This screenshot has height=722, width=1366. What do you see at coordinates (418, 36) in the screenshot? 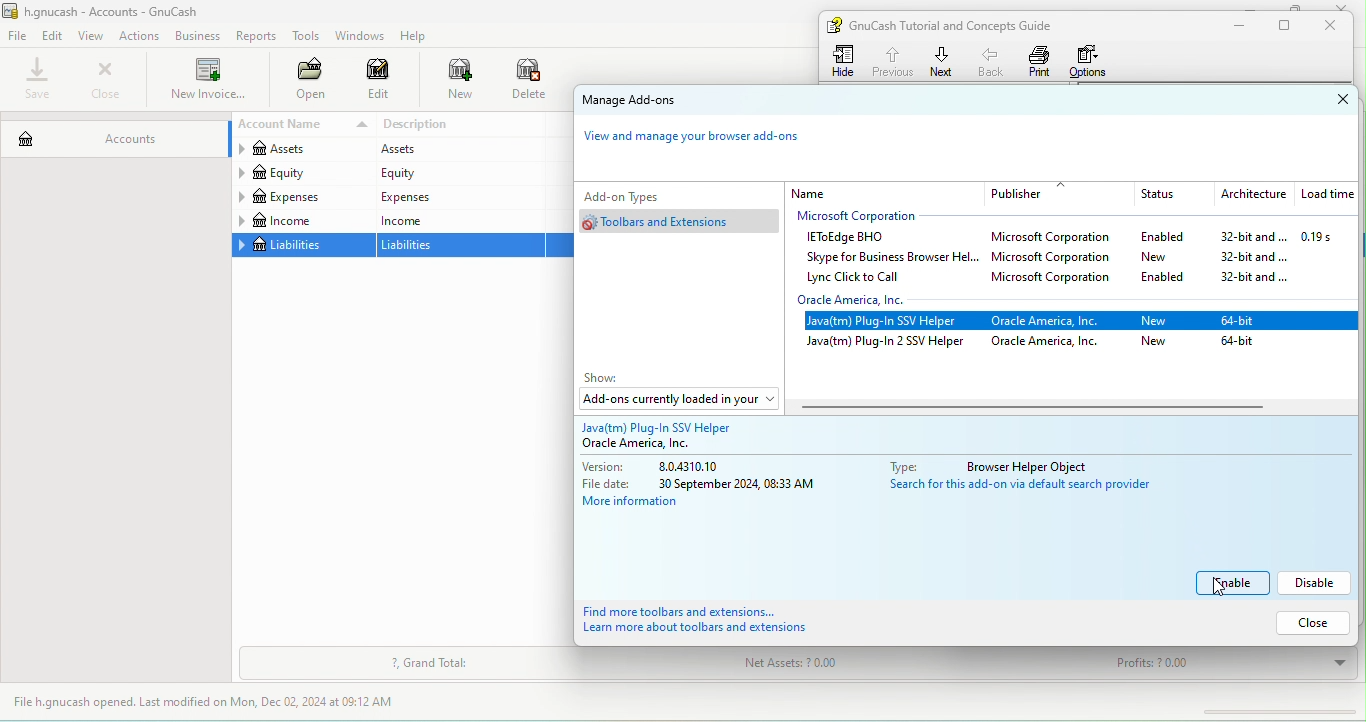
I see `help` at bounding box center [418, 36].